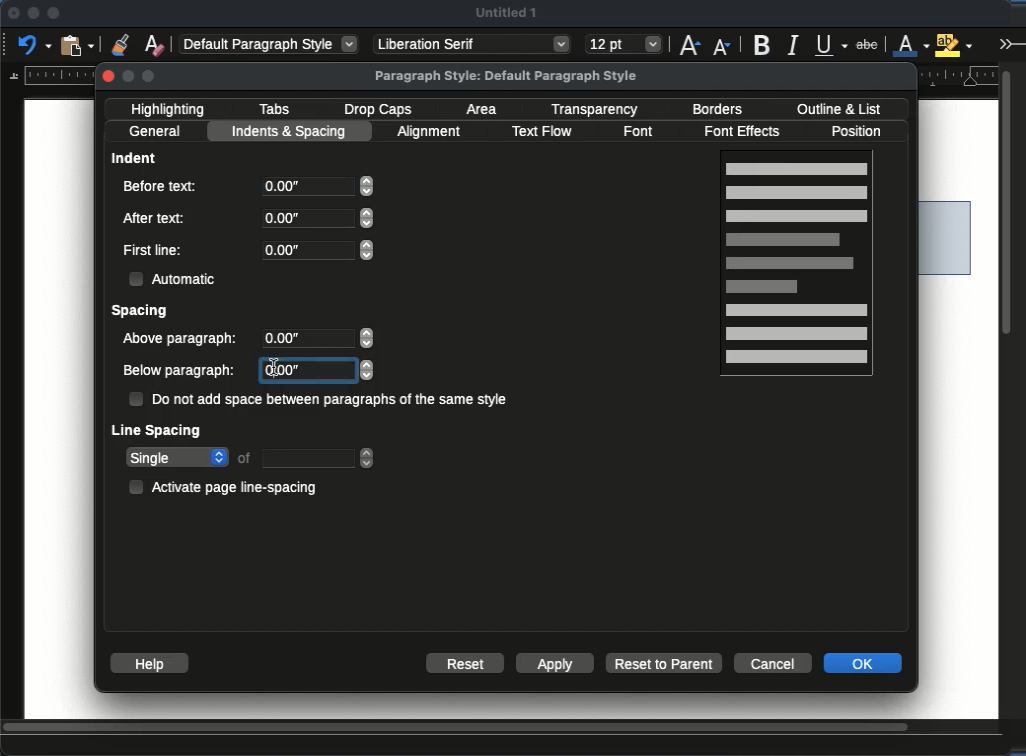 This screenshot has height=756, width=1026. I want to click on bold, so click(764, 44).